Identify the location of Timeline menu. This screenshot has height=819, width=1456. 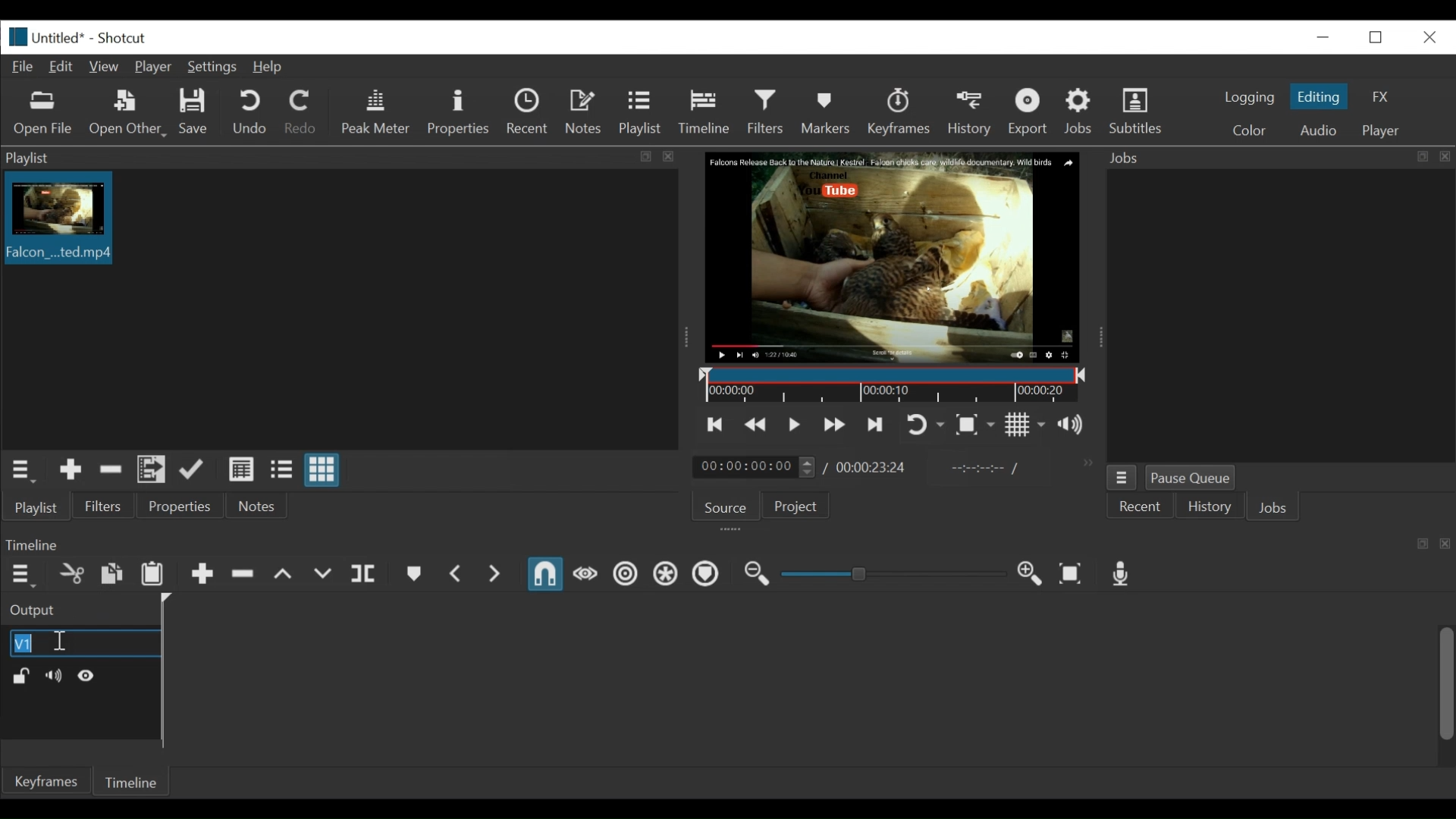
(19, 576).